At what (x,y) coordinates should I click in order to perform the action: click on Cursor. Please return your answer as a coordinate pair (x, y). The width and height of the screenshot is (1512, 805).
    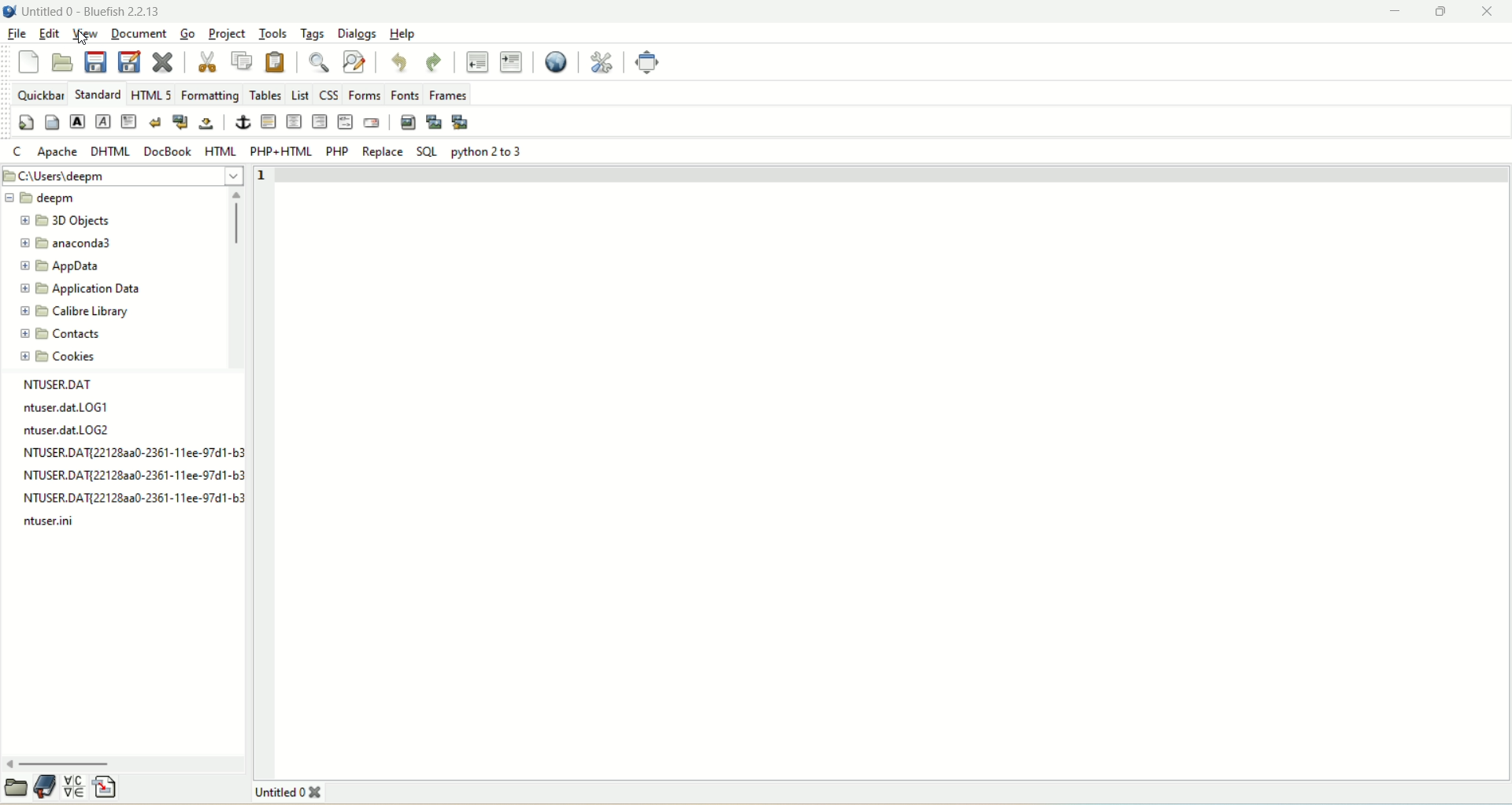
    Looking at the image, I should click on (82, 39).